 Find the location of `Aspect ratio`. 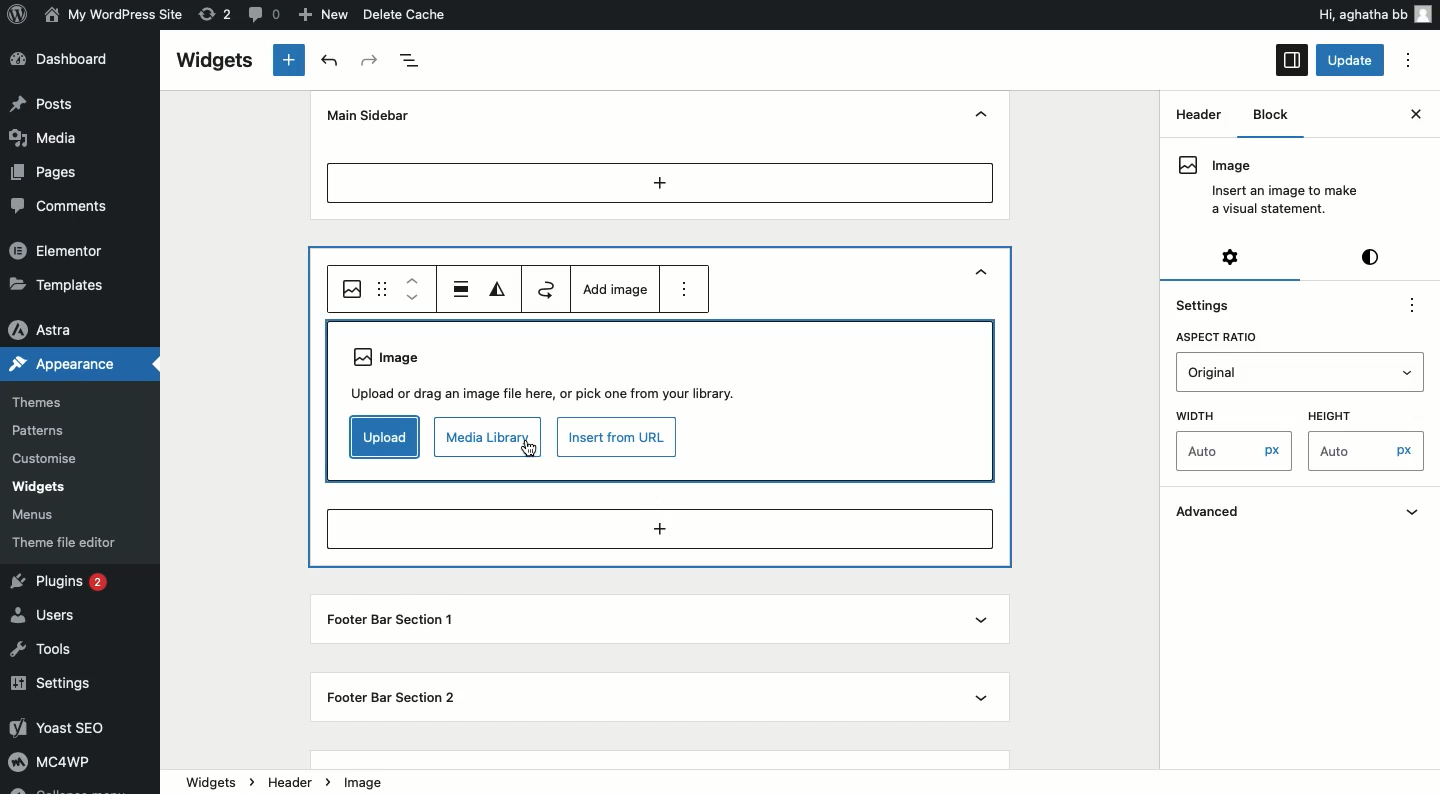

Aspect ratio is located at coordinates (1214, 337).